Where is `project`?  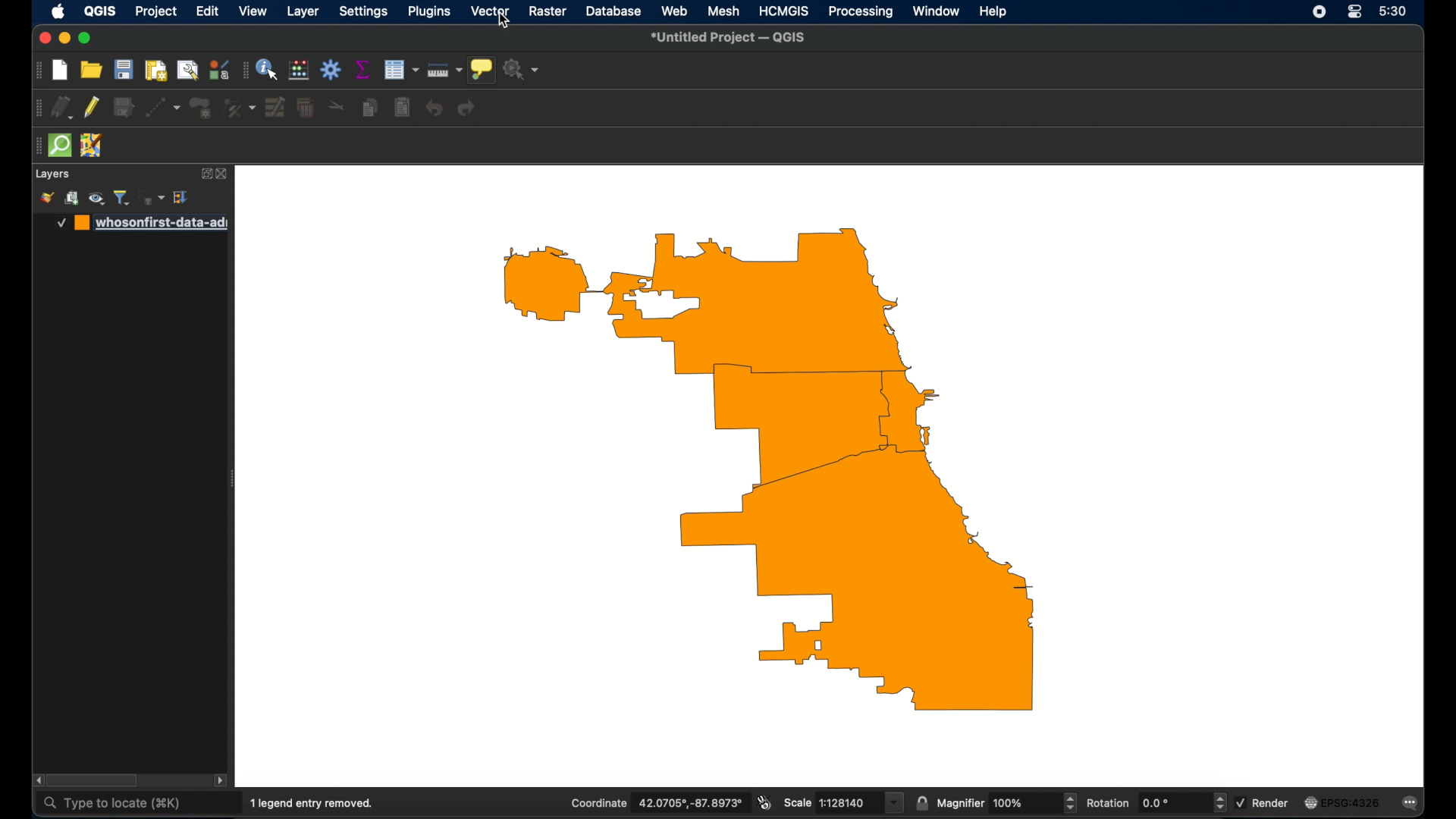 project is located at coordinates (155, 12).